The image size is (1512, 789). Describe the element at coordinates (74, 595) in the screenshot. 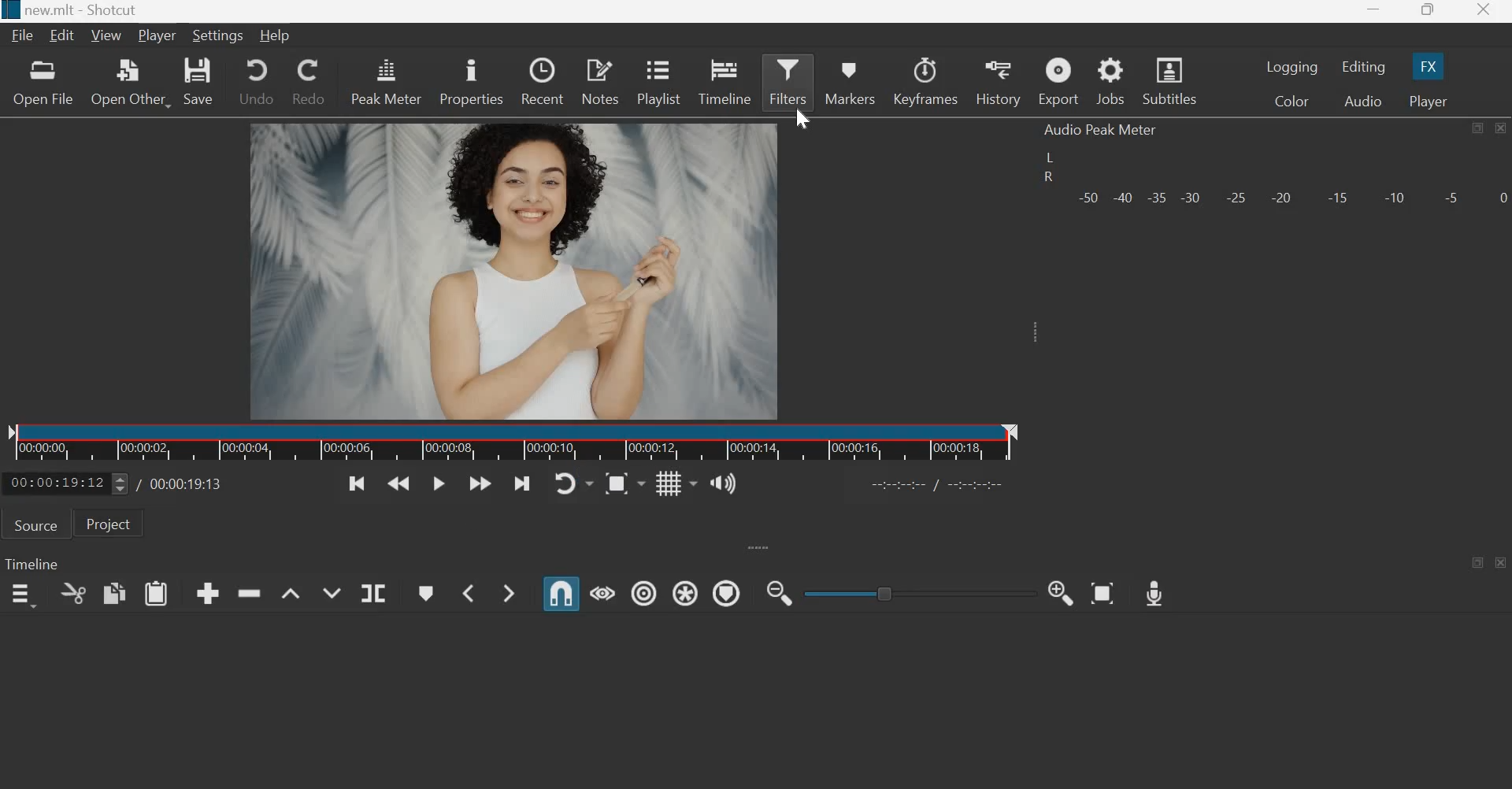

I see `cut` at that location.